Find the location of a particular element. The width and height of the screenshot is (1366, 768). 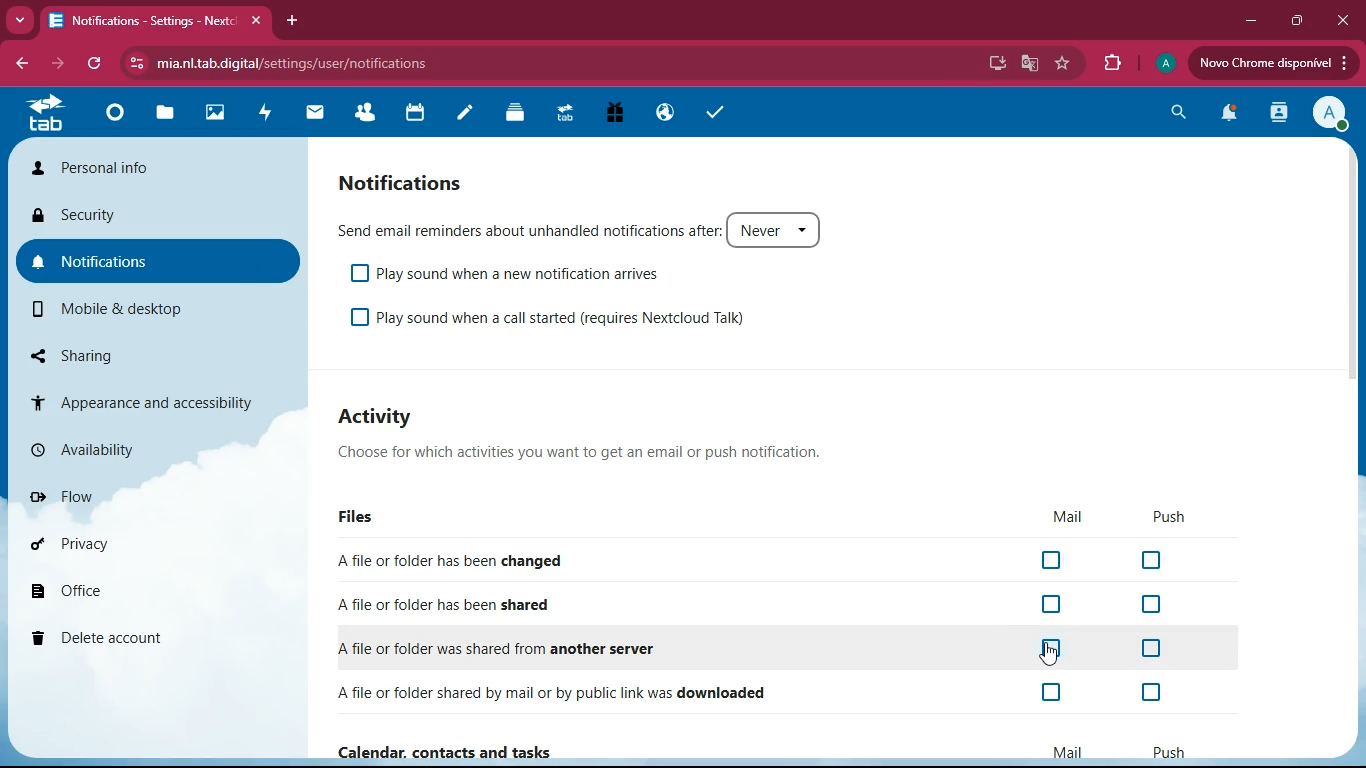

notifications is located at coordinates (149, 262).